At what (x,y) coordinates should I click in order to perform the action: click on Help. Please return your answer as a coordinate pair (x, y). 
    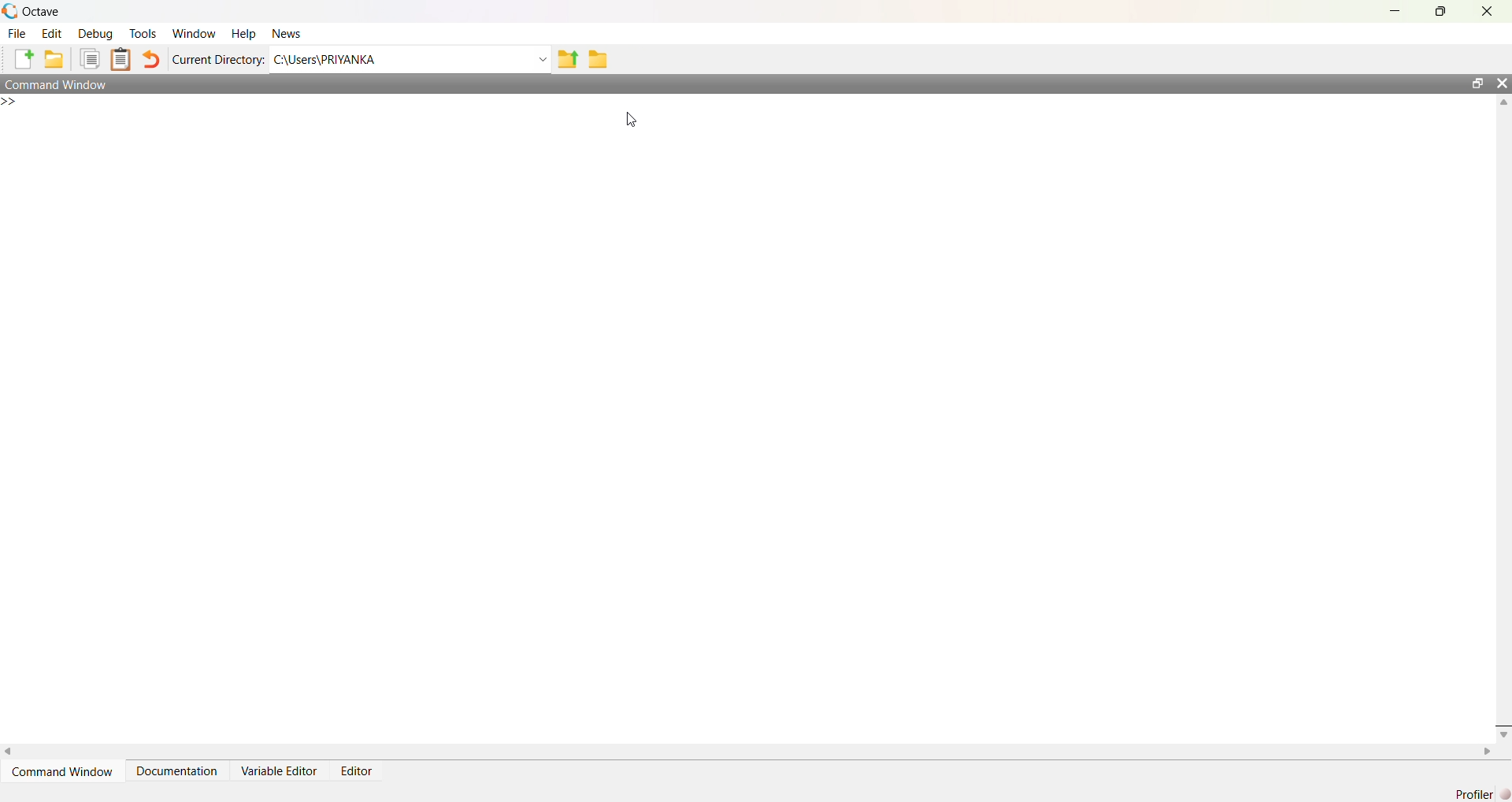
    Looking at the image, I should click on (243, 35).